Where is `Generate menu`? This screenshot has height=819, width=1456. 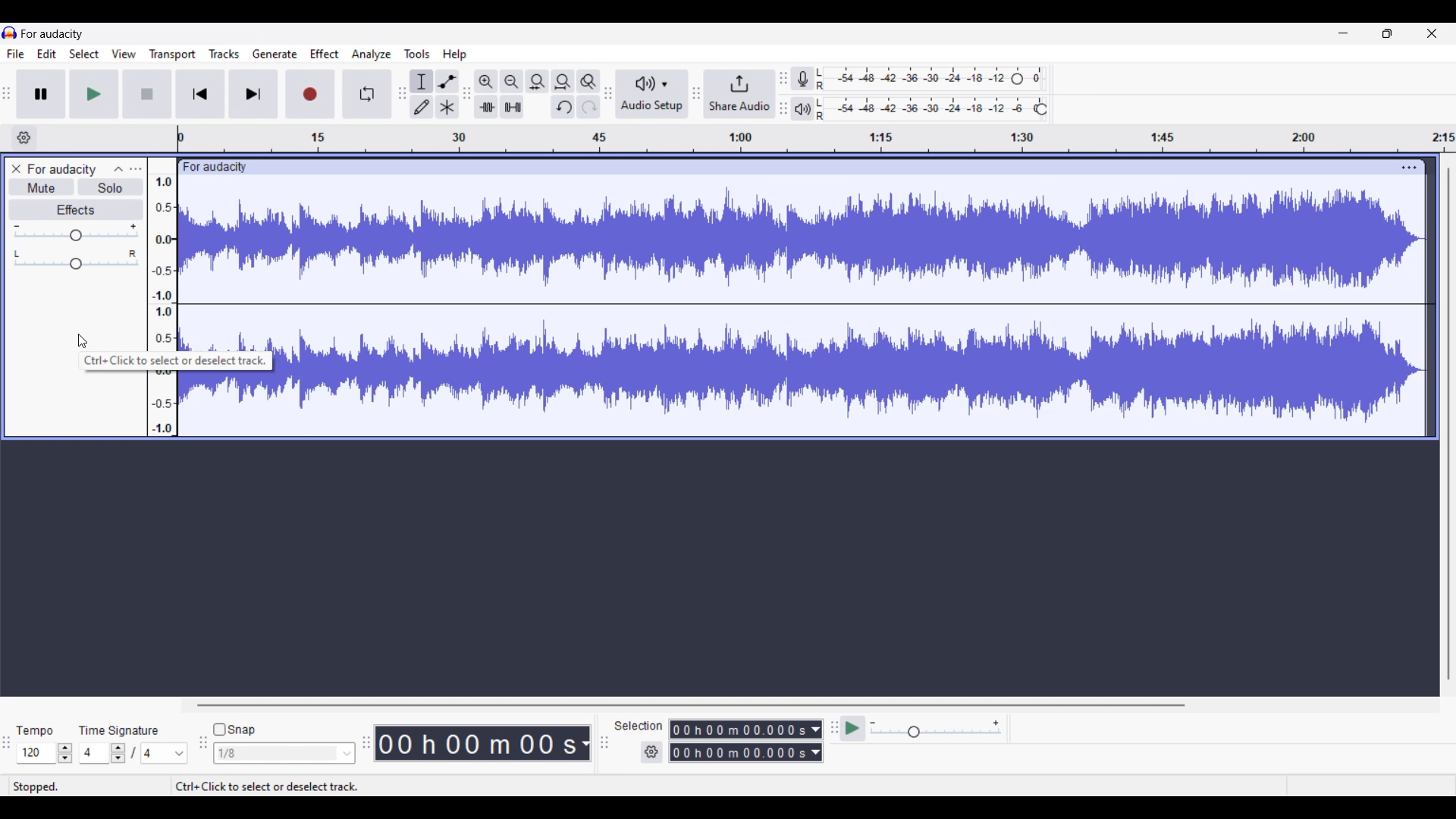 Generate menu is located at coordinates (275, 54).